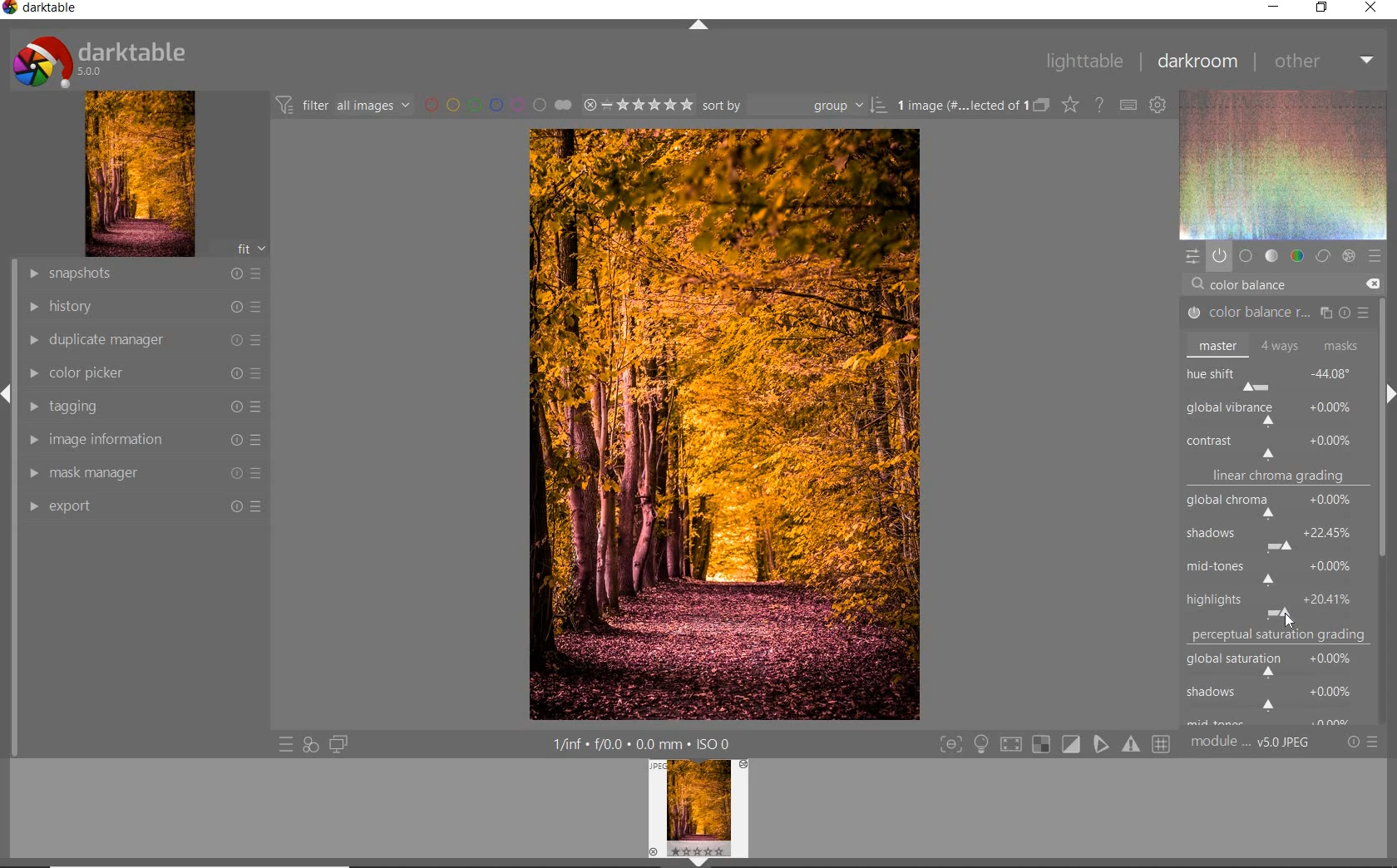 Image resolution: width=1397 pixels, height=868 pixels. I want to click on shadows, so click(1276, 696).